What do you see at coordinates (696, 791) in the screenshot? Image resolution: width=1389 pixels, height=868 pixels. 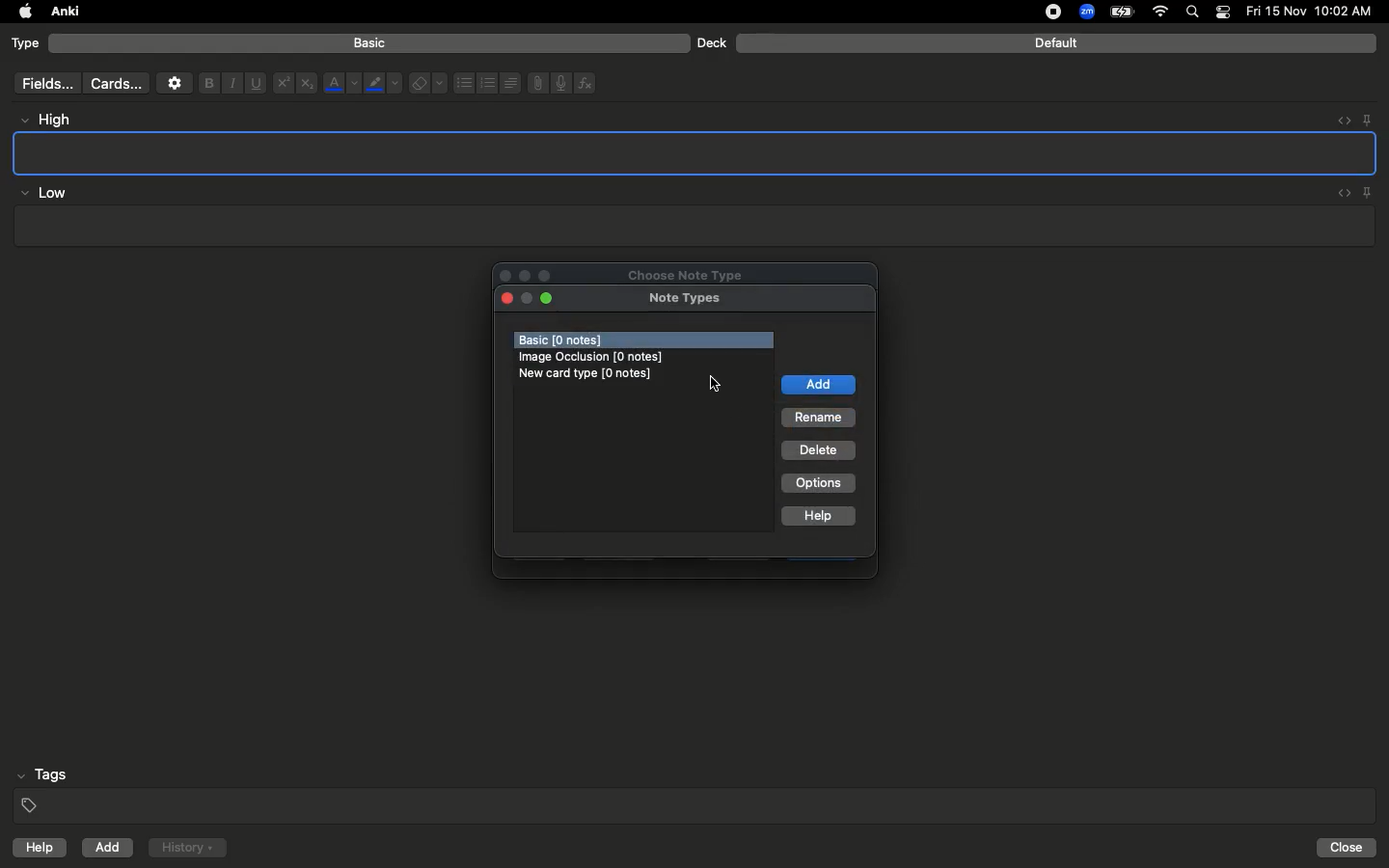 I see `Tags` at bounding box center [696, 791].